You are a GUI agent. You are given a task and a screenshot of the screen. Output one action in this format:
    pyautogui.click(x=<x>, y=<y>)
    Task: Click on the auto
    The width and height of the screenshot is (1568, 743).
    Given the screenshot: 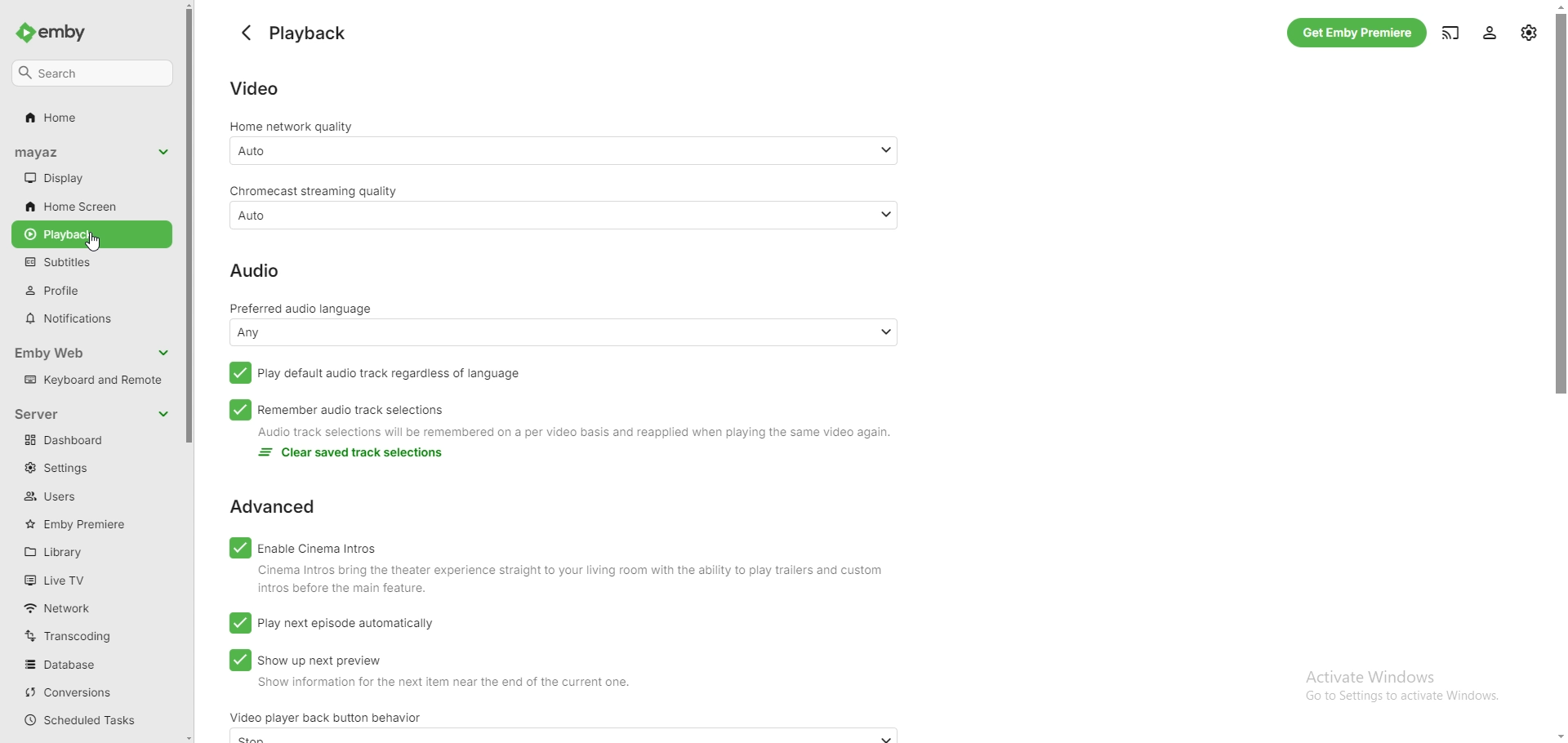 What is the action you would take?
    pyautogui.click(x=563, y=216)
    